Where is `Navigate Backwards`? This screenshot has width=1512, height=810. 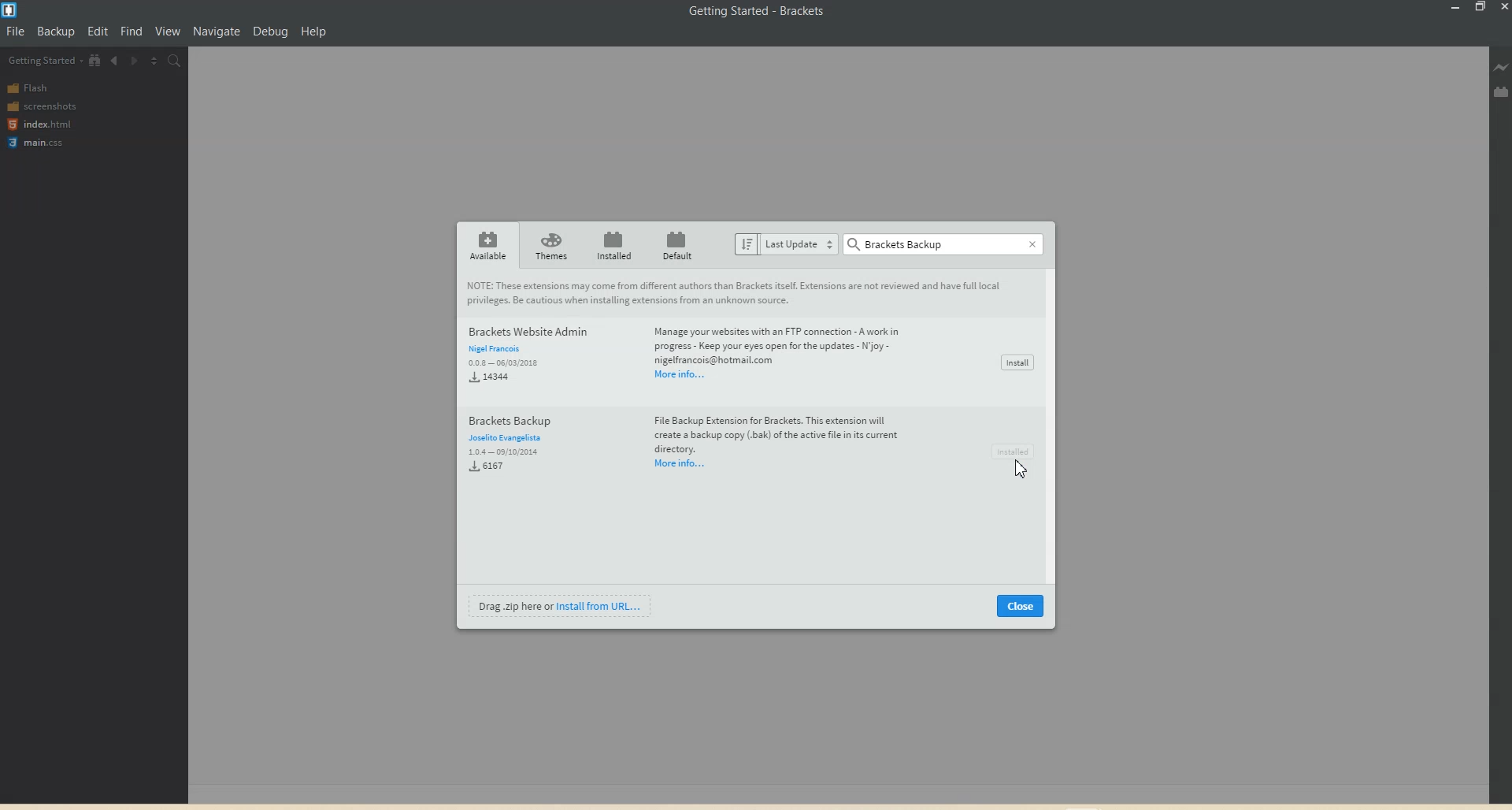
Navigate Backwards is located at coordinates (115, 59).